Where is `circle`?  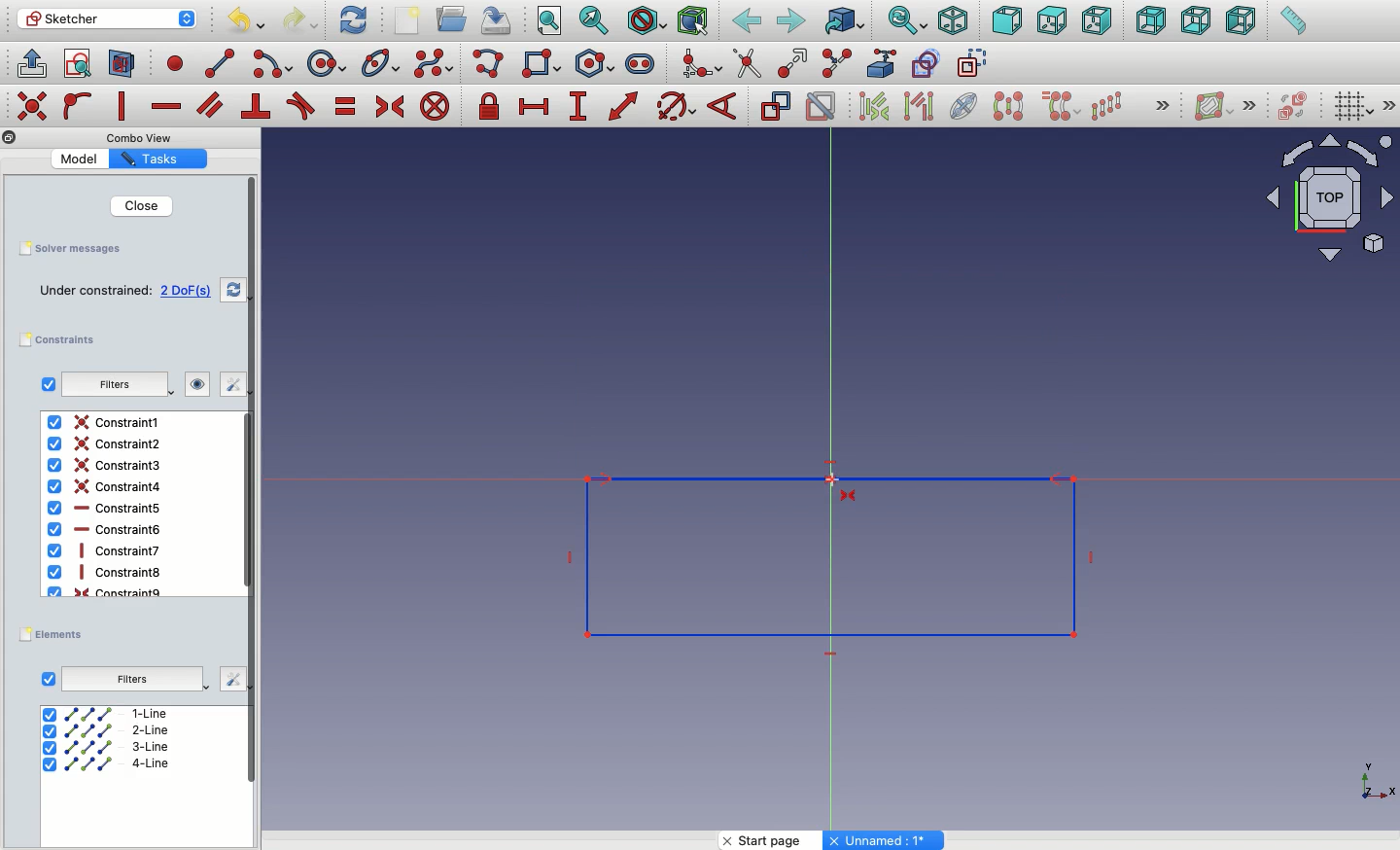 circle is located at coordinates (327, 64).